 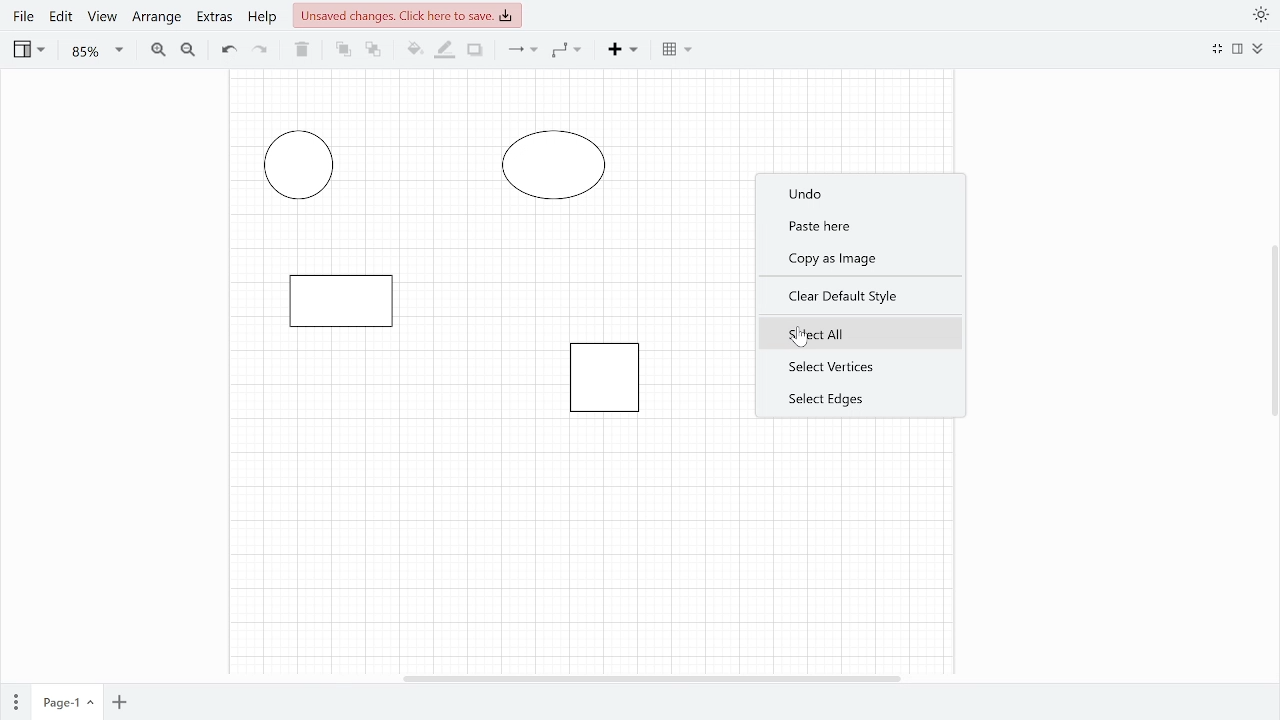 I want to click on Zoom(85%), so click(x=97, y=52).